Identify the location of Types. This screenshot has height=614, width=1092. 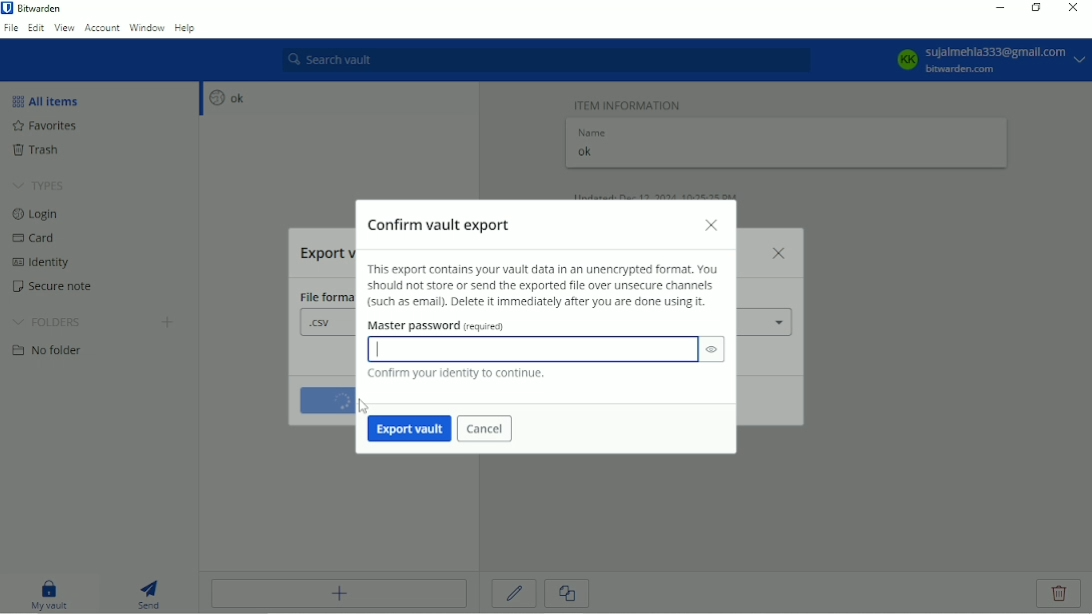
(40, 187).